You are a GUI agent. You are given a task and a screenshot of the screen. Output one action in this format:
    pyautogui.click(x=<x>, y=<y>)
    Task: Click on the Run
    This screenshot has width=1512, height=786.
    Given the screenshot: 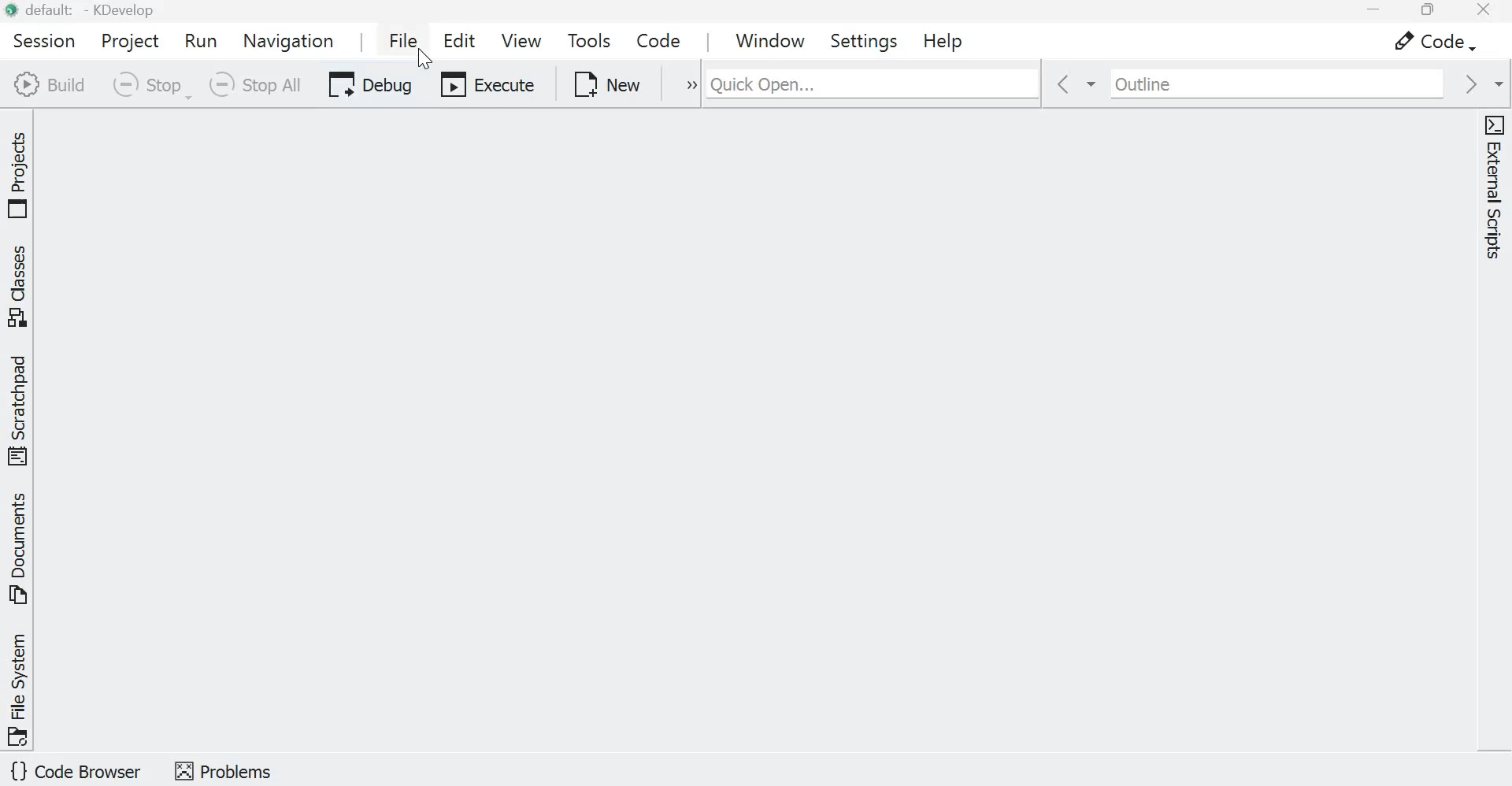 What is the action you would take?
    pyautogui.click(x=204, y=41)
    